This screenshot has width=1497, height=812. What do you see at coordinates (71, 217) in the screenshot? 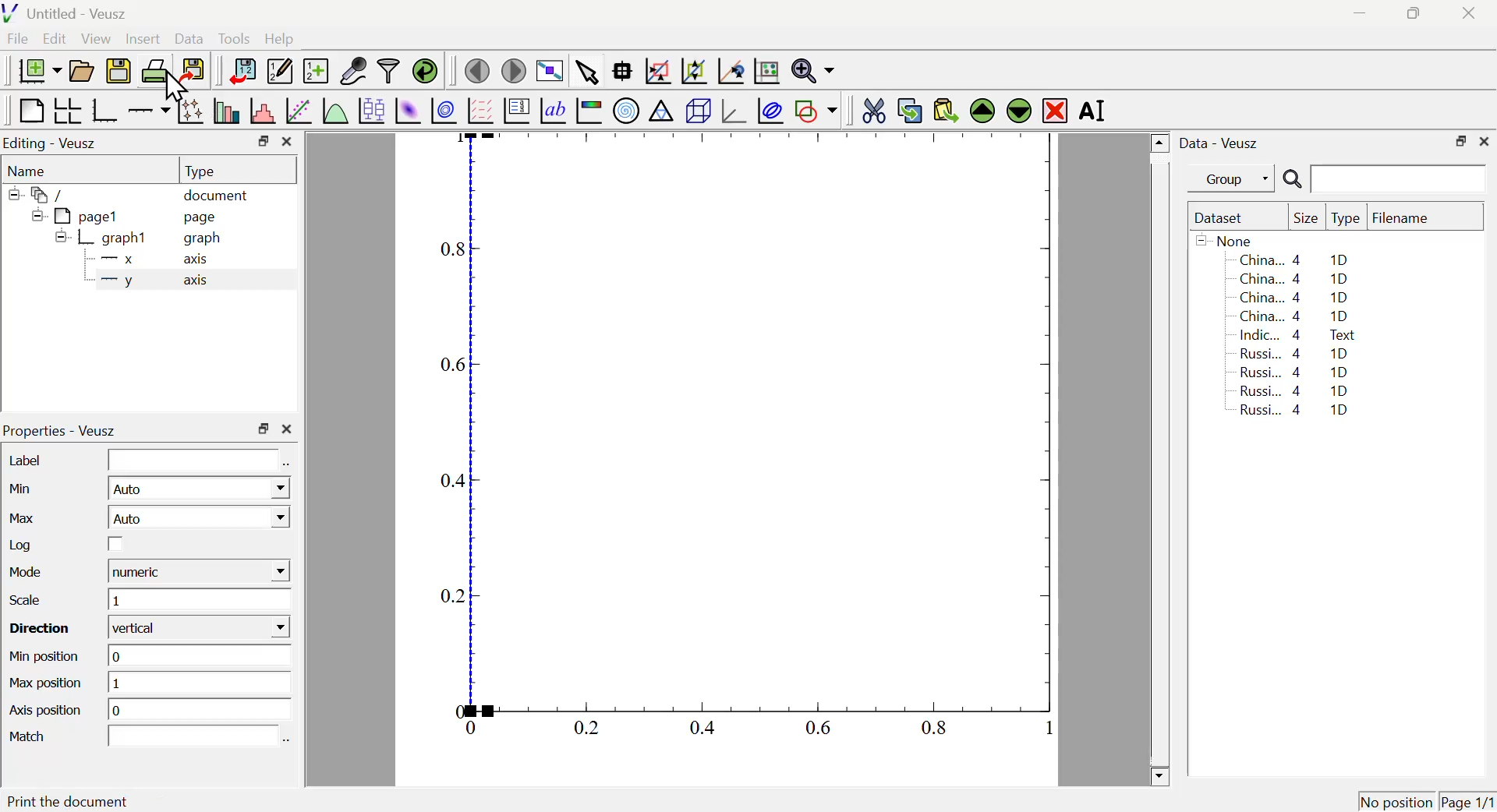
I see `pagel` at bounding box center [71, 217].